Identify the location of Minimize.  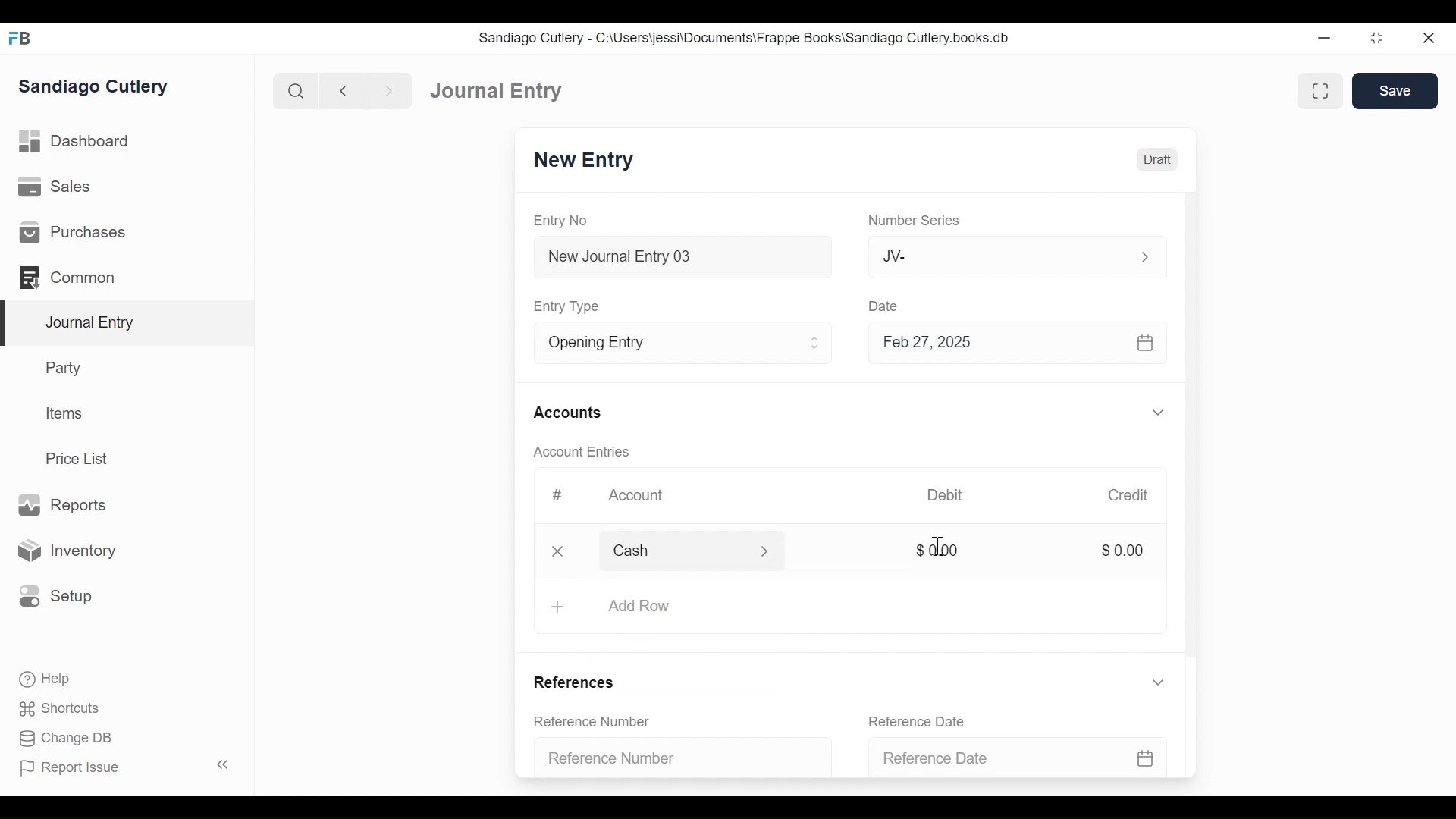
(1326, 37).